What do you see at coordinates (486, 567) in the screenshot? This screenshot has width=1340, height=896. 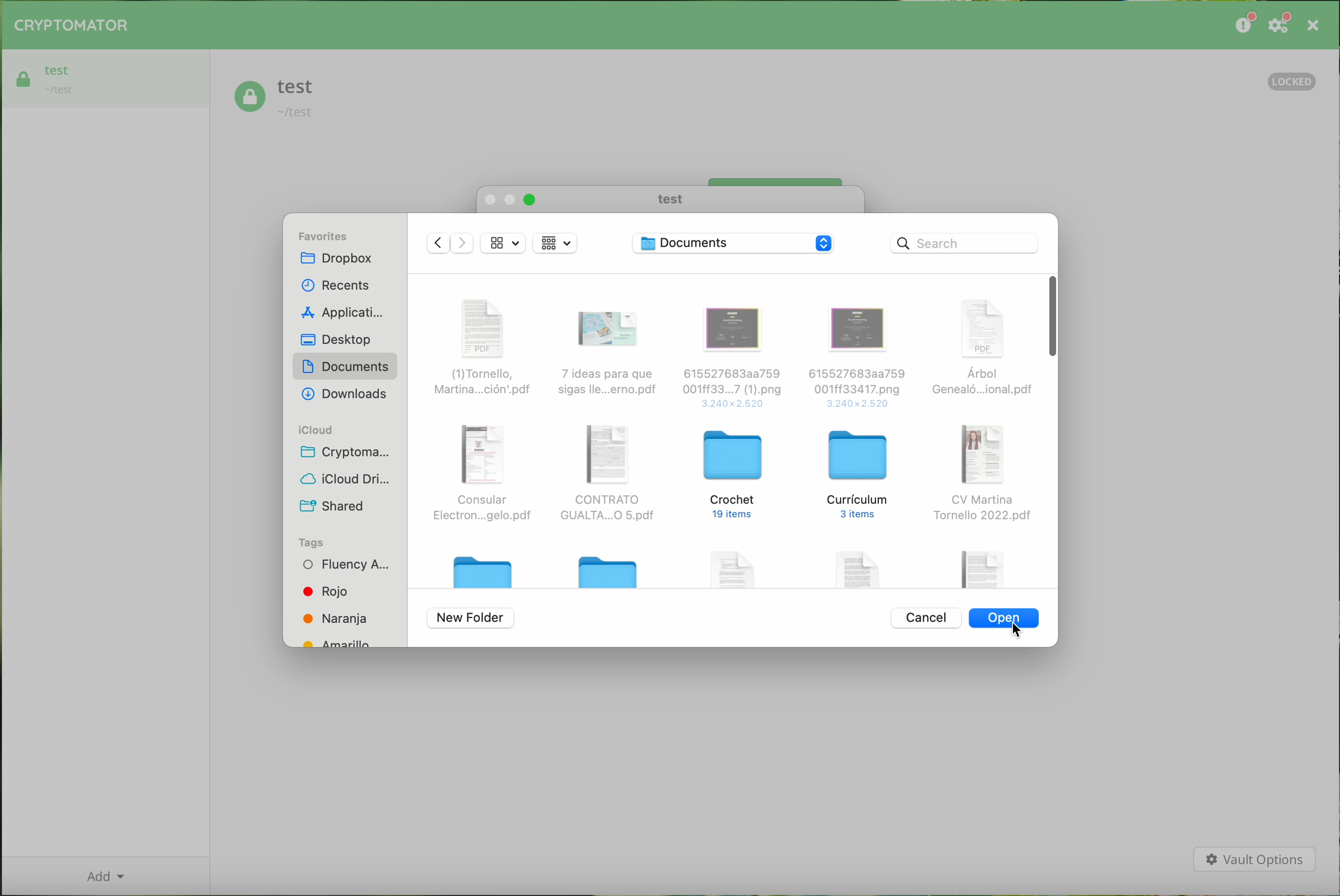 I see `folder` at bounding box center [486, 567].